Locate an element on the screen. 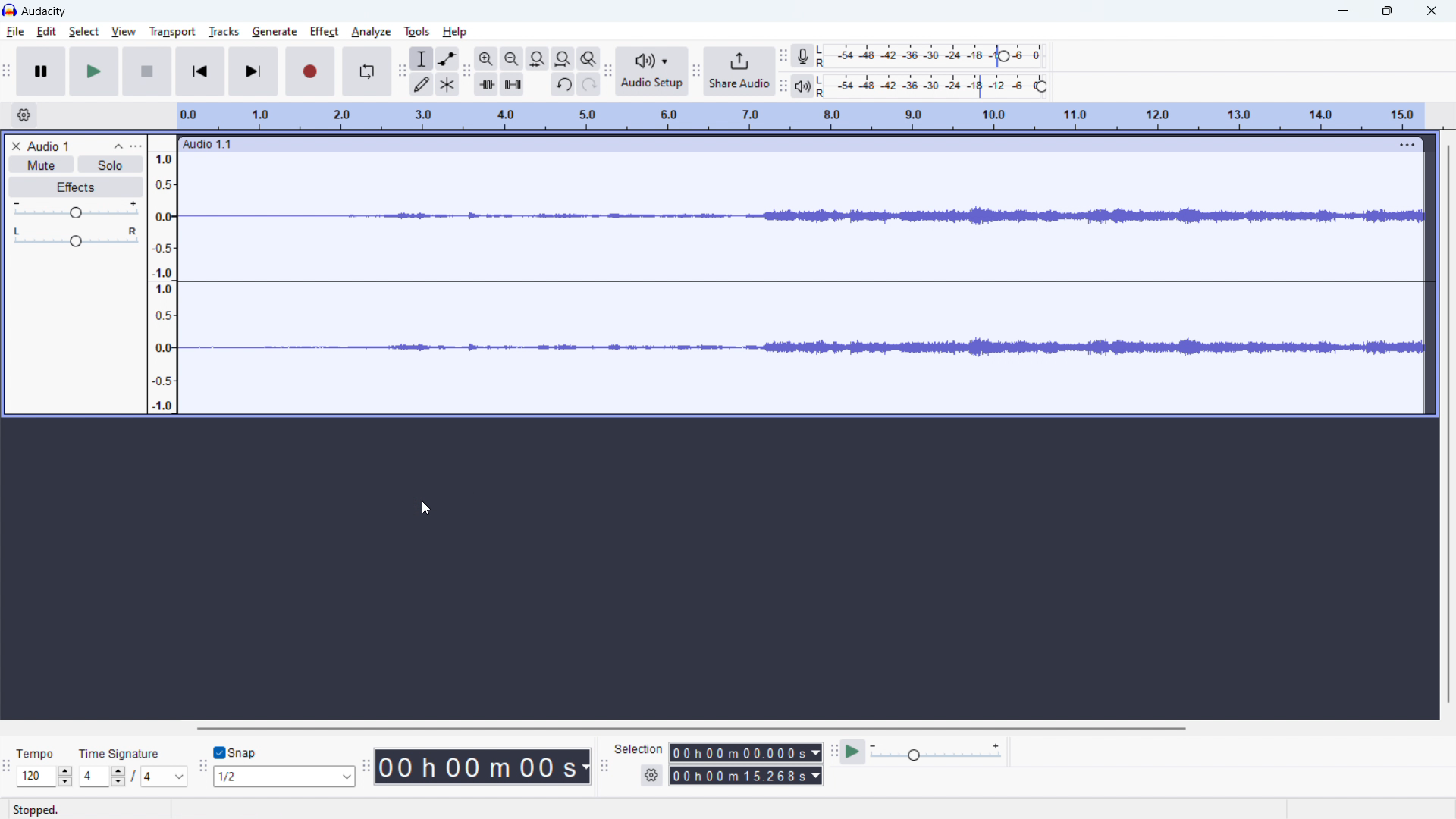 The height and width of the screenshot is (819, 1456). view menu is located at coordinates (136, 146).